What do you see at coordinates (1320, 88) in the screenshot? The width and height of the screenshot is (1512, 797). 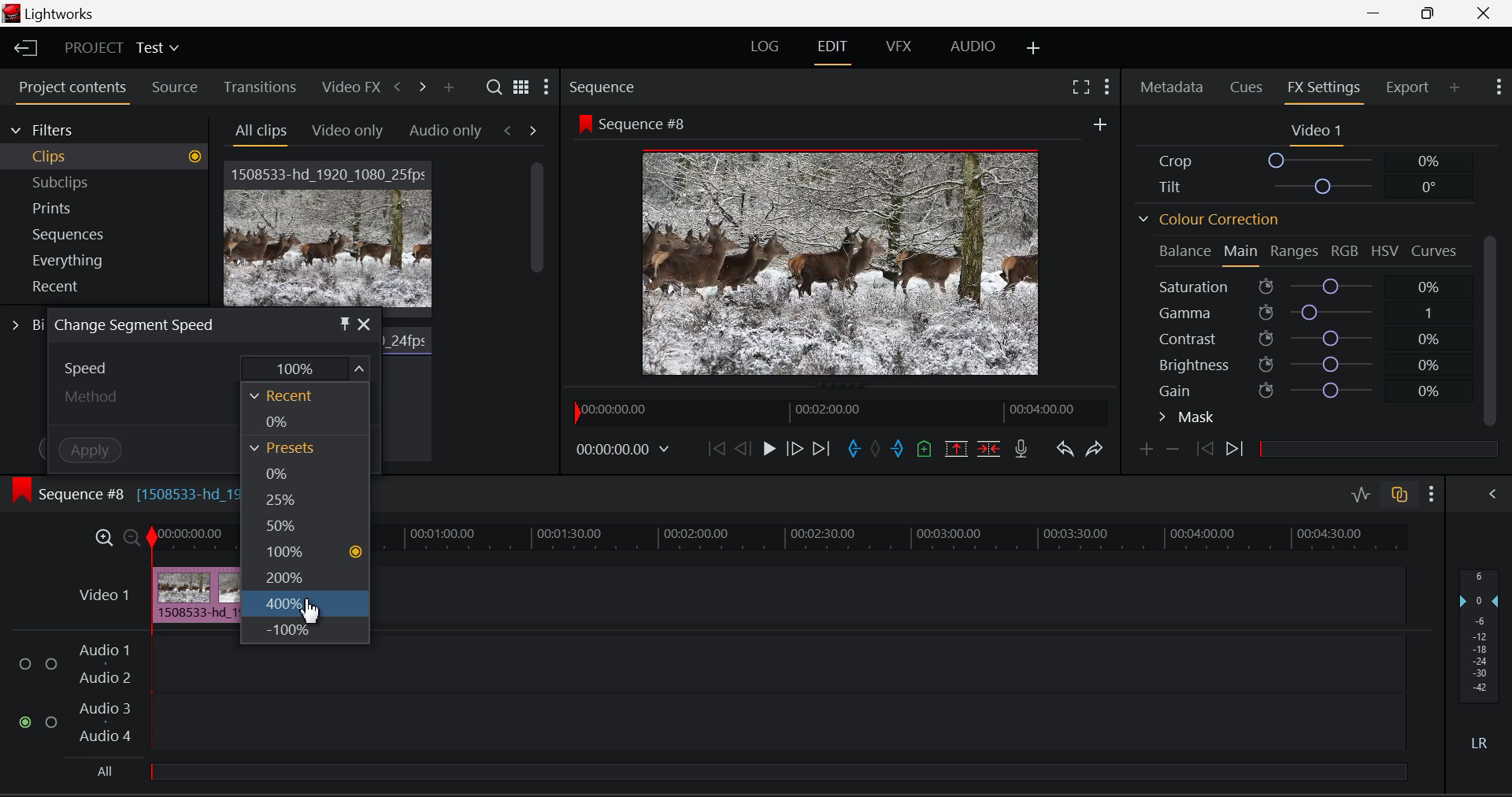 I see `FX Settings` at bounding box center [1320, 88].